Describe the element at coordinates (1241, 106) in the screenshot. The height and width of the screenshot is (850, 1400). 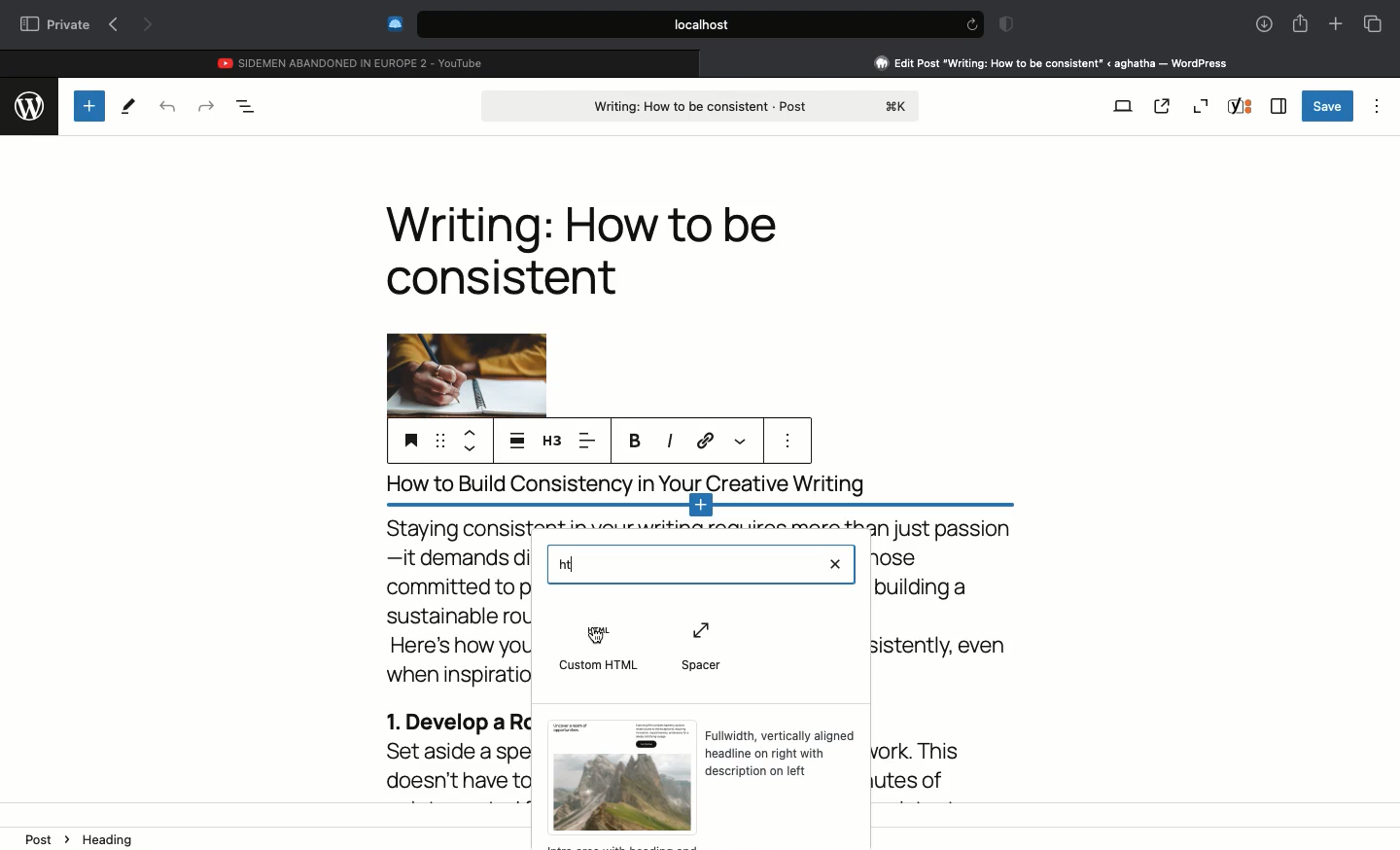
I see `Yoast` at that location.